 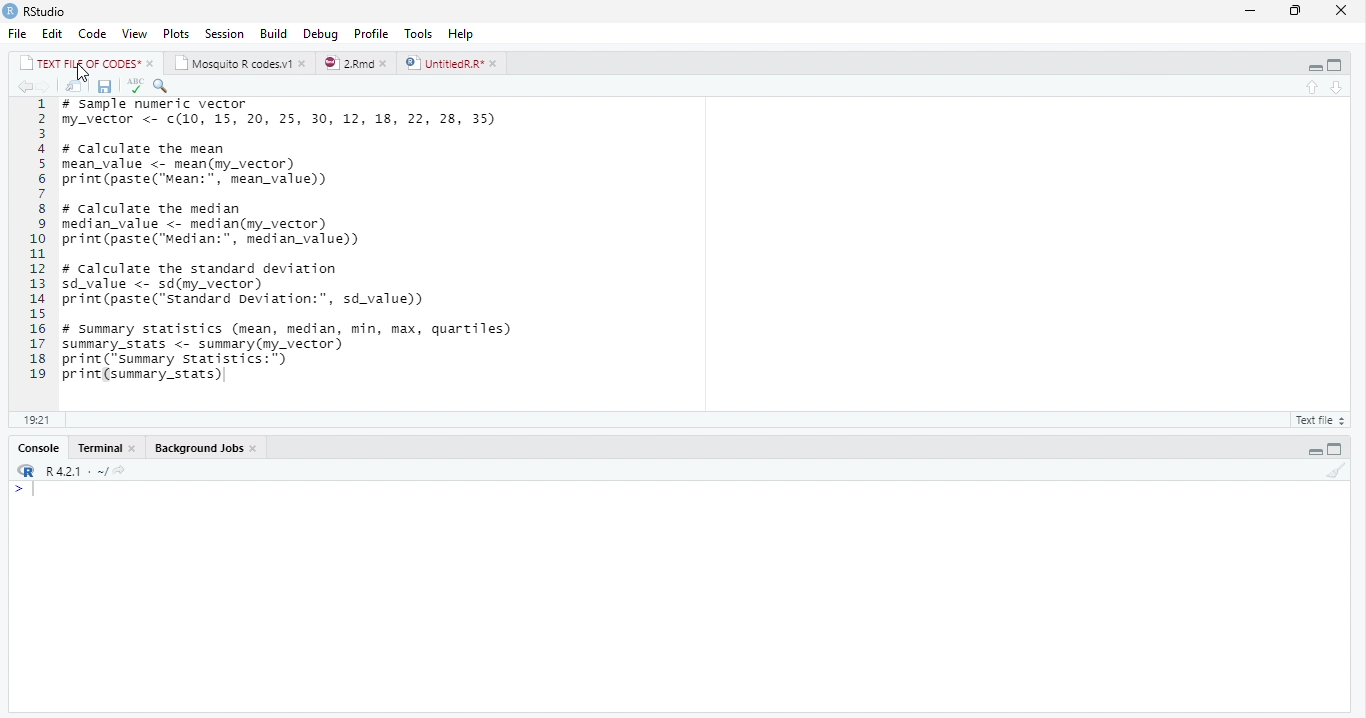 I want to click on Background Jobs, so click(x=199, y=448).